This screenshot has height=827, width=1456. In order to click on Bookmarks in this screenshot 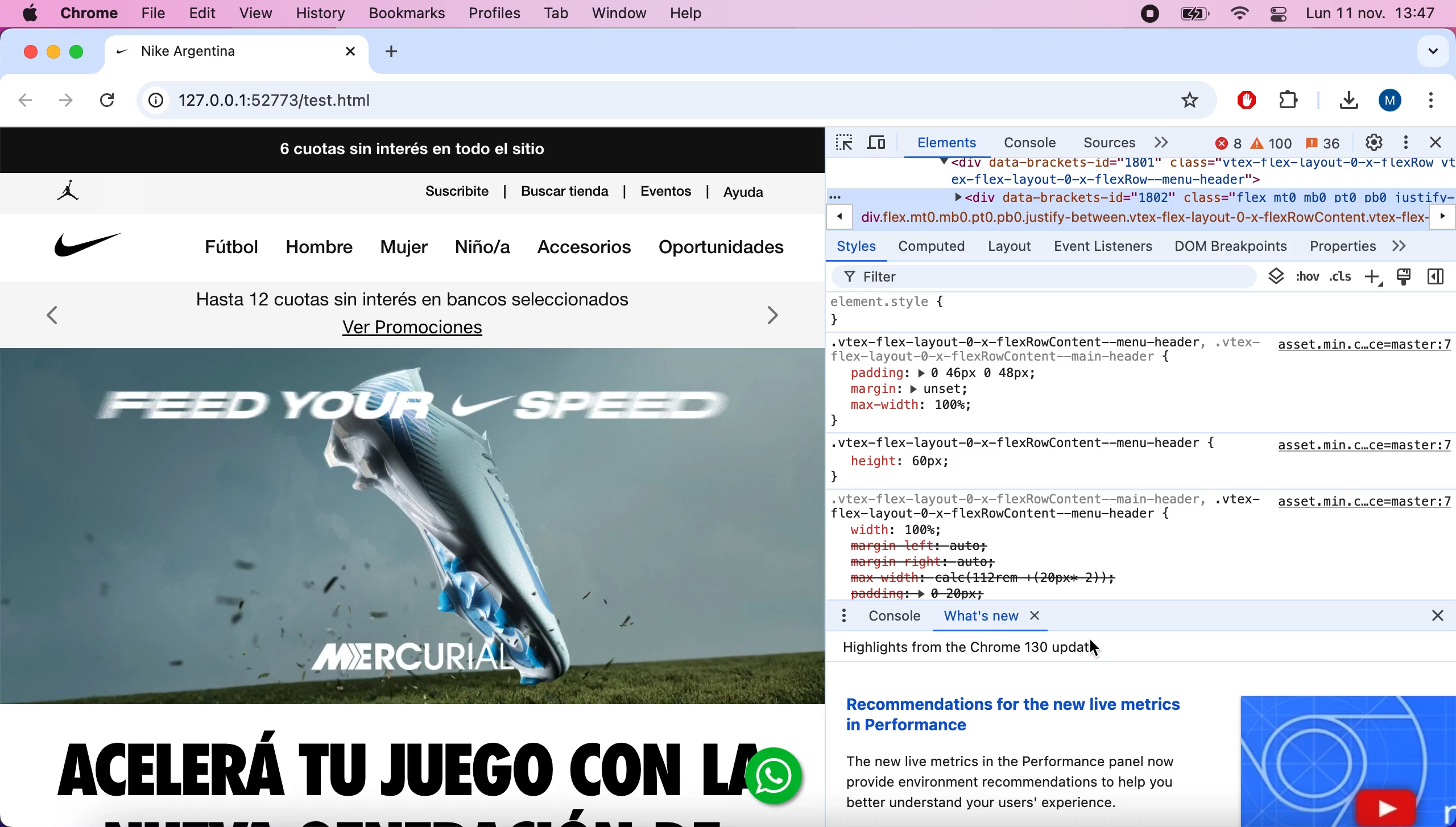, I will do `click(398, 14)`.